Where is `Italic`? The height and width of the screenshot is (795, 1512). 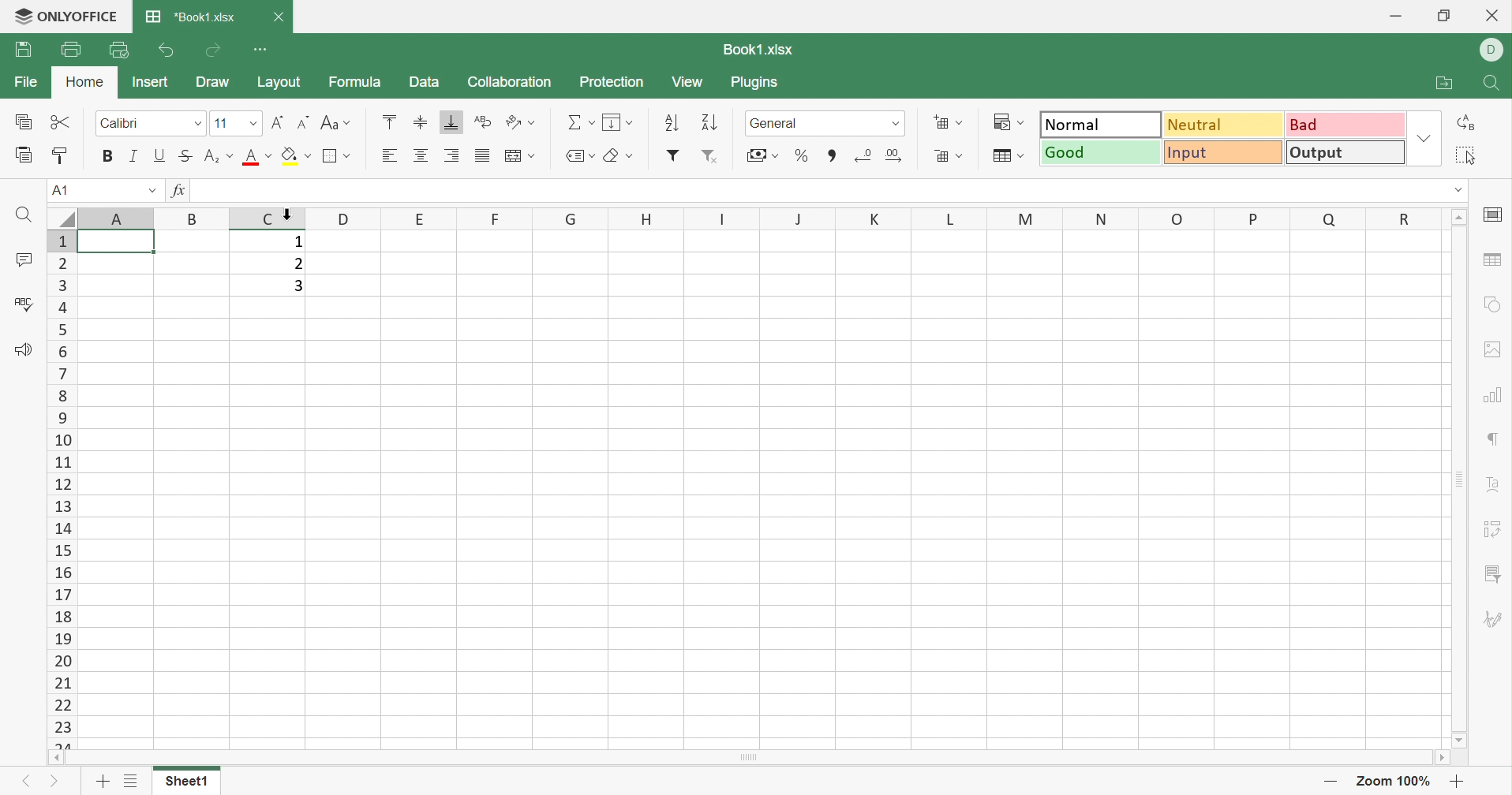 Italic is located at coordinates (132, 155).